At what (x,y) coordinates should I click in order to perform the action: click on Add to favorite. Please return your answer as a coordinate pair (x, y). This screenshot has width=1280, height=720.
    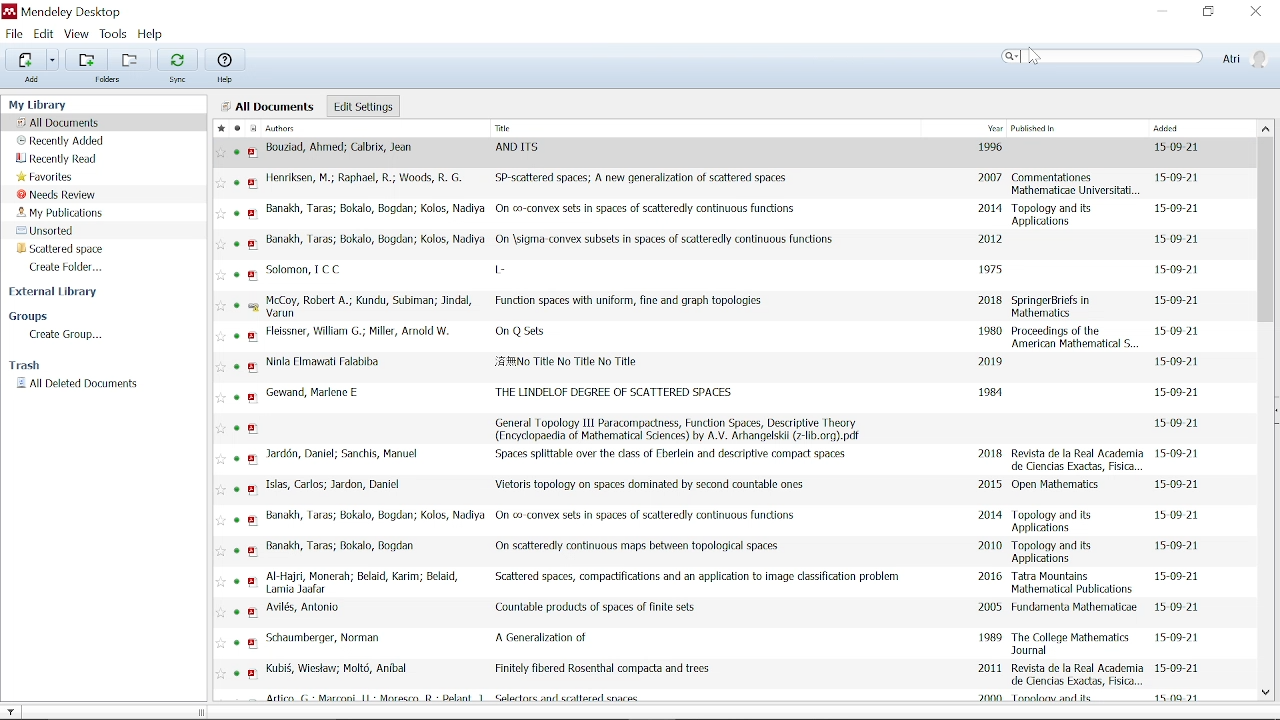
    Looking at the image, I should click on (221, 674).